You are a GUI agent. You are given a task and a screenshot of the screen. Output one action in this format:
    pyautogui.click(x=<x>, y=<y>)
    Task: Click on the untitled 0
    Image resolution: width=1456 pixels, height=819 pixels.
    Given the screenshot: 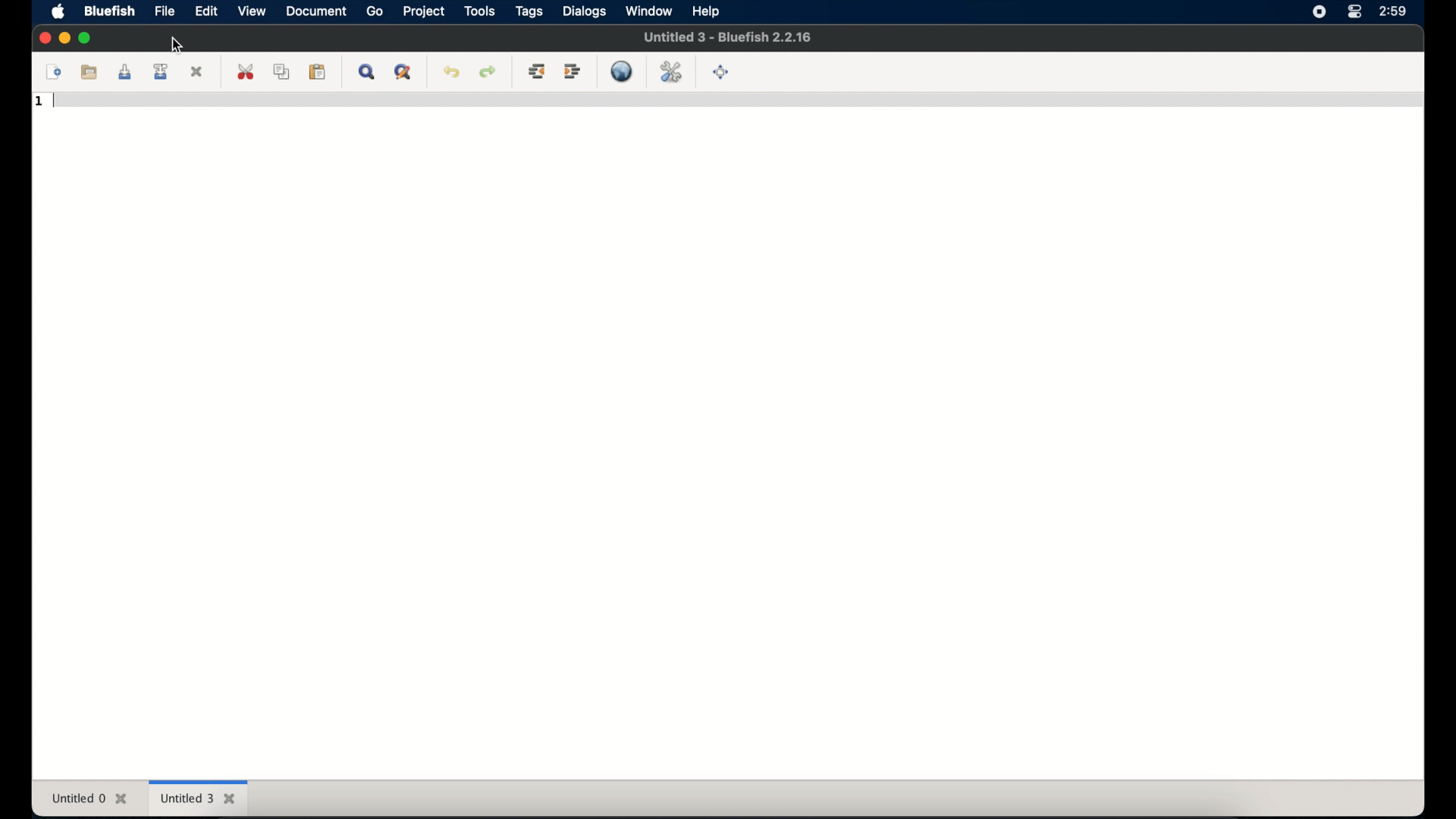 What is the action you would take?
    pyautogui.click(x=89, y=799)
    